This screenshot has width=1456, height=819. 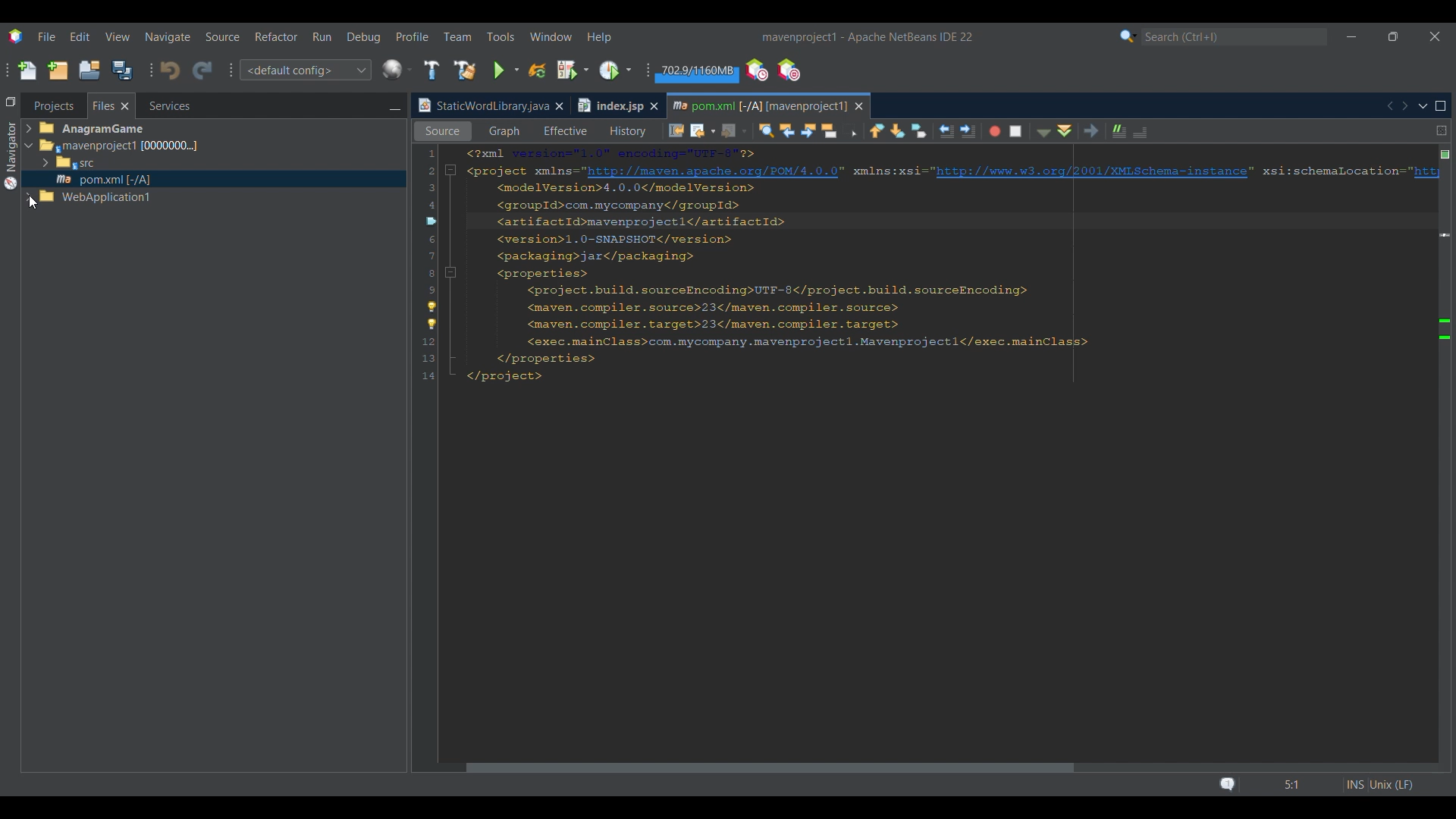 What do you see at coordinates (699, 130) in the screenshot?
I see `Back options` at bounding box center [699, 130].